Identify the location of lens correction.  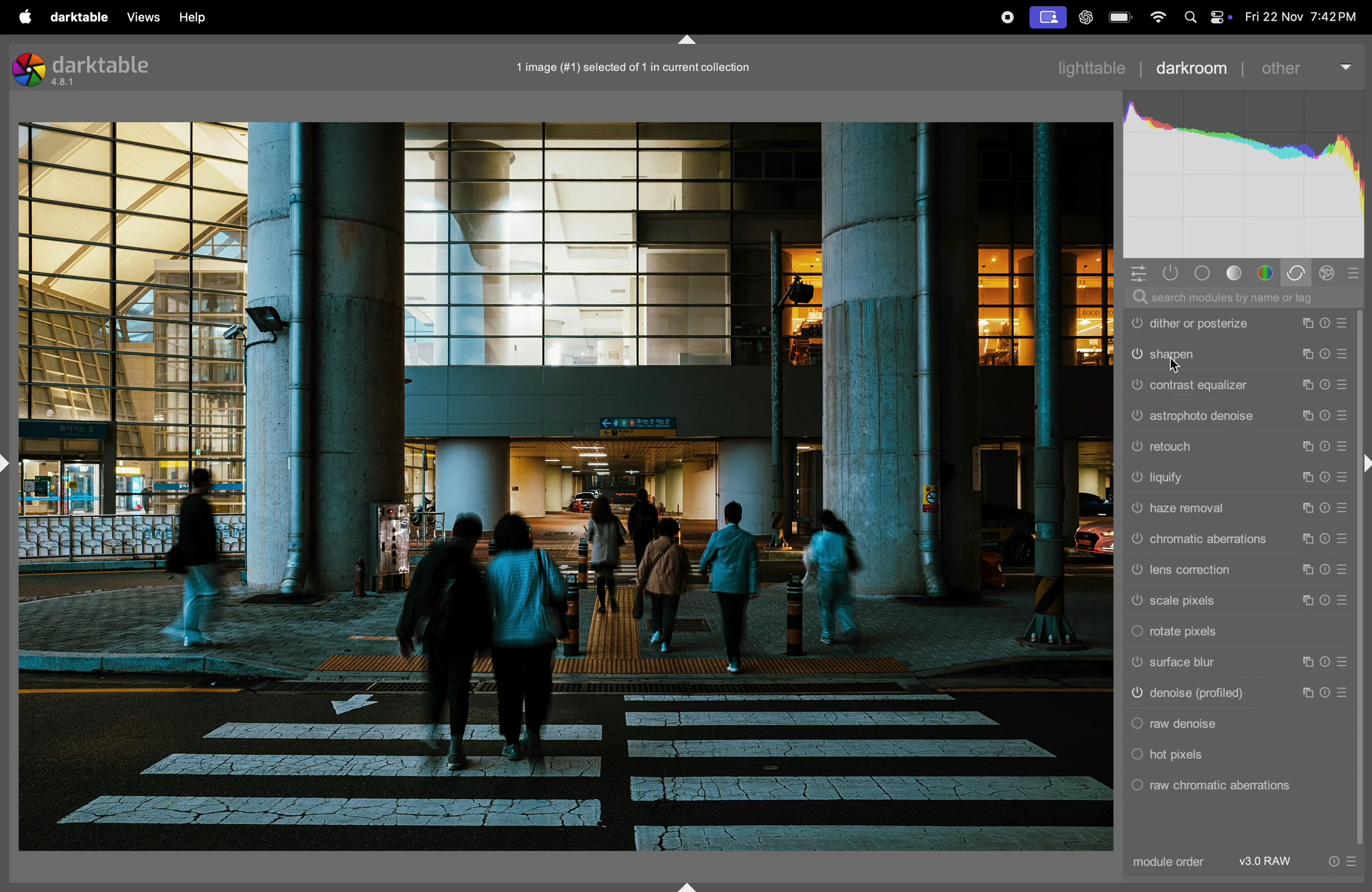
(1238, 572).